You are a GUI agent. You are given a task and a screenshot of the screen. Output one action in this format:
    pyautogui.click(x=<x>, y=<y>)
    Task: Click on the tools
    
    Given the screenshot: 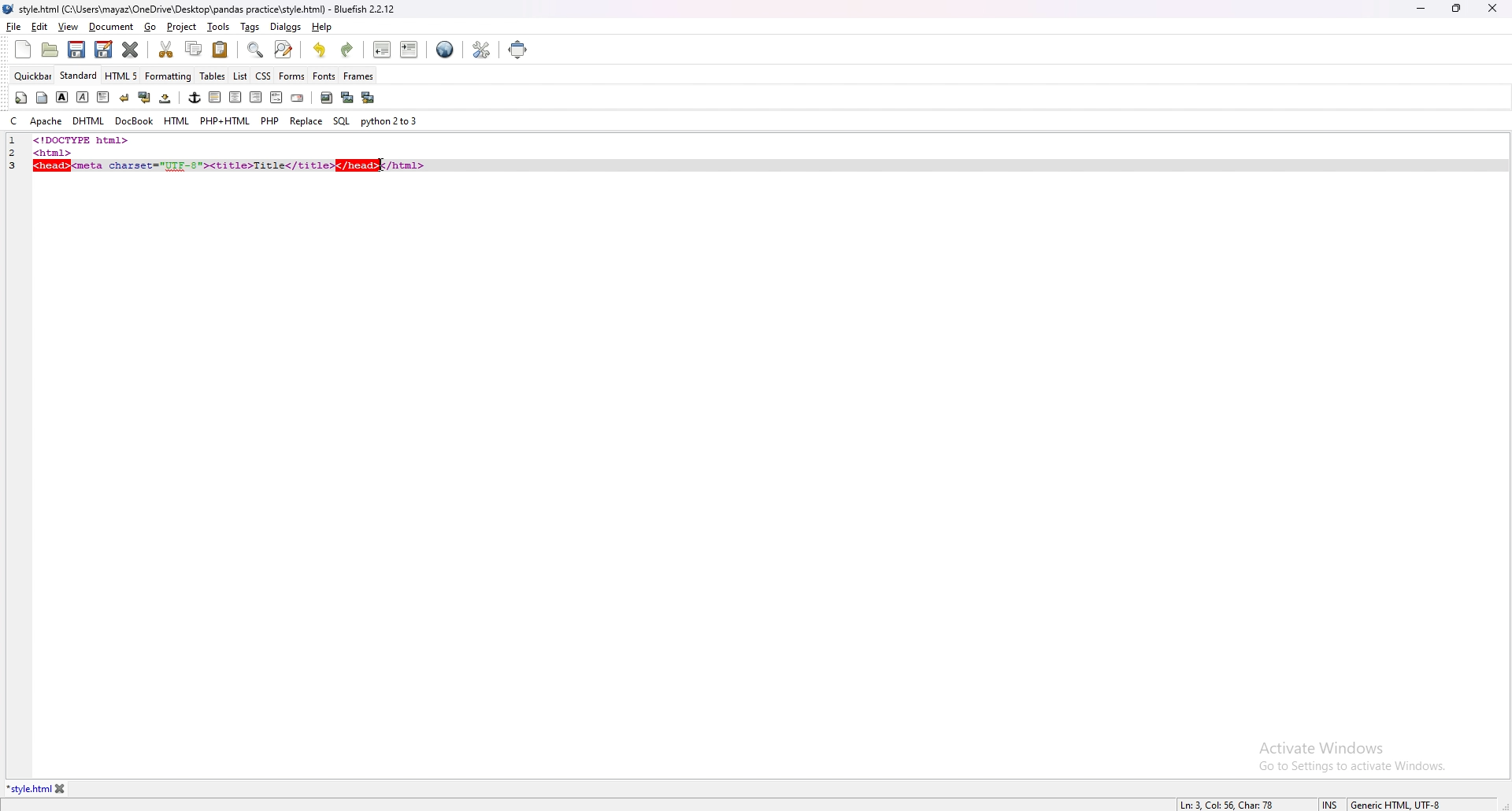 What is the action you would take?
    pyautogui.click(x=219, y=27)
    